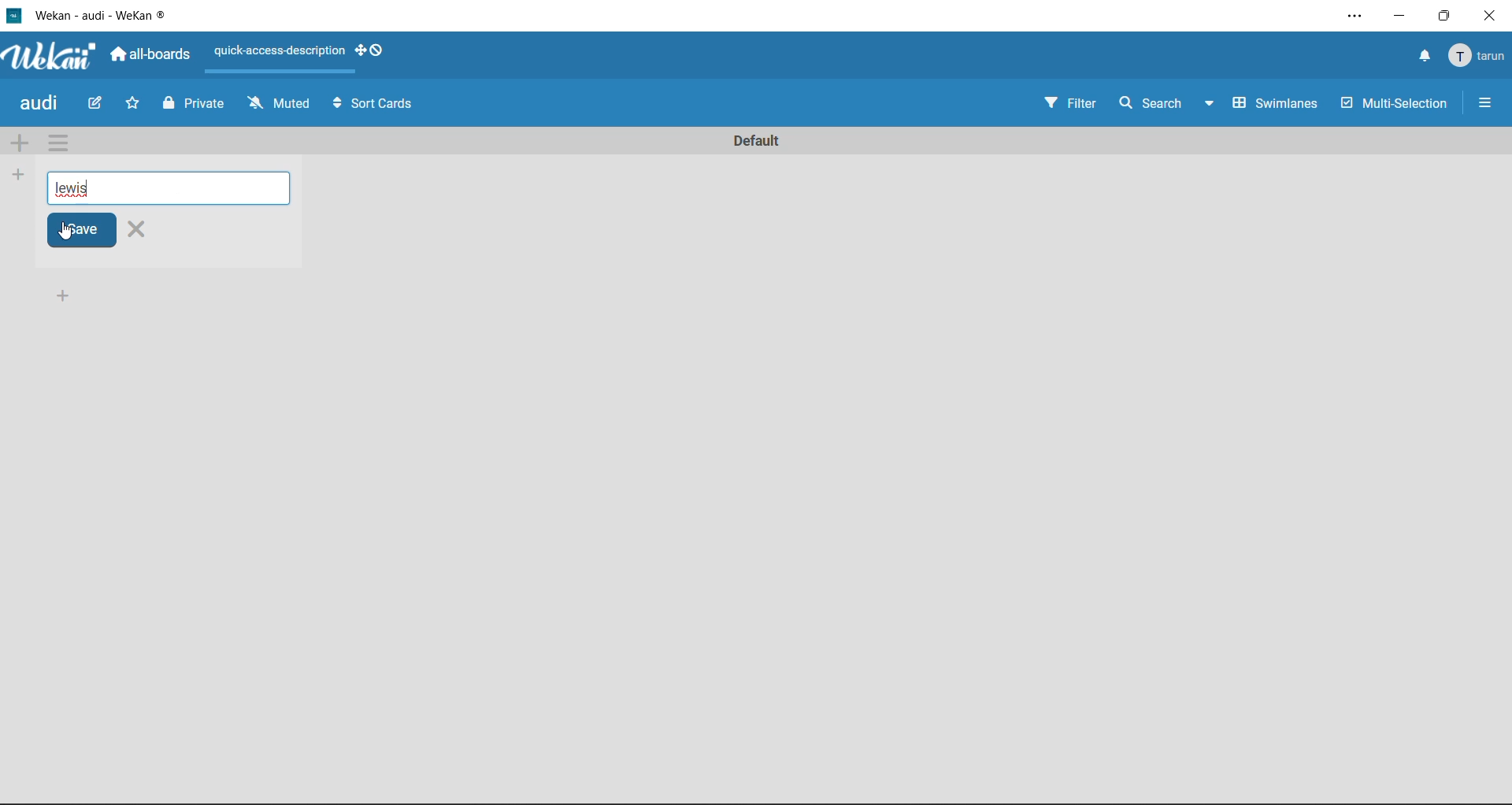  Describe the element at coordinates (192, 106) in the screenshot. I see `private` at that location.